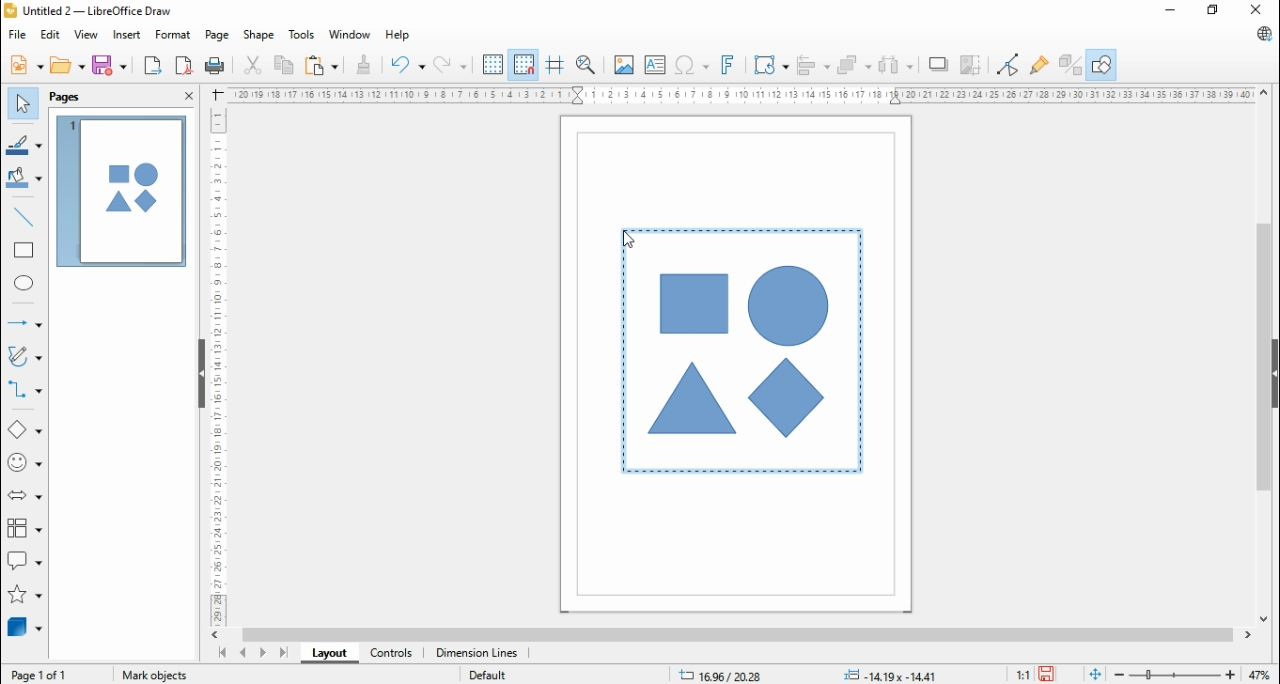 Image resolution: width=1280 pixels, height=684 pixels. I want to click on select, so click(23, 104).